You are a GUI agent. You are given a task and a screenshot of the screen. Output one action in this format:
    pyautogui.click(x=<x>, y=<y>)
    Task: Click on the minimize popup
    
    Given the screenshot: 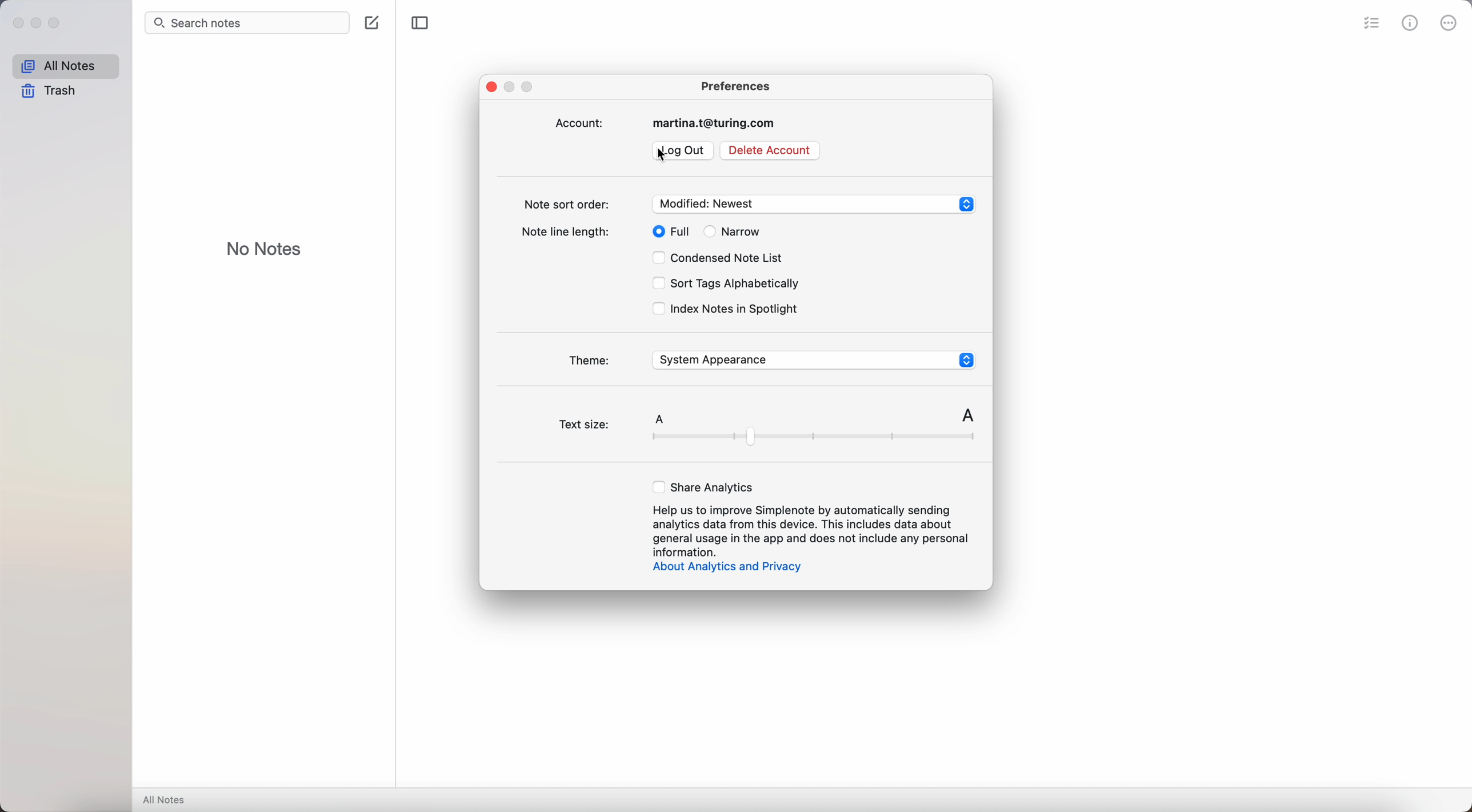 What is the action you would take?
    pyautogui.click(x=511, y=86)
    